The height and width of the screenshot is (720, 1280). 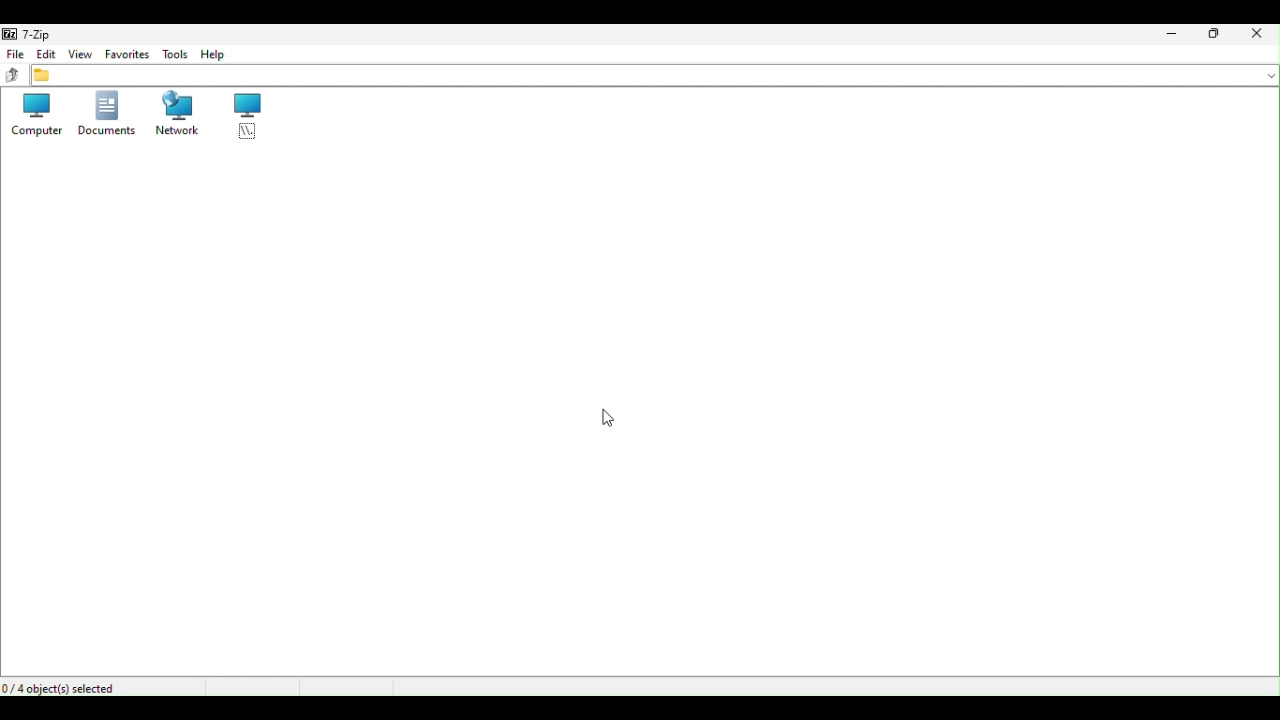 What do you see at coordinates (38, 33) in the screenshot?
I see `7 zip ` at bounding box center [38, 33].